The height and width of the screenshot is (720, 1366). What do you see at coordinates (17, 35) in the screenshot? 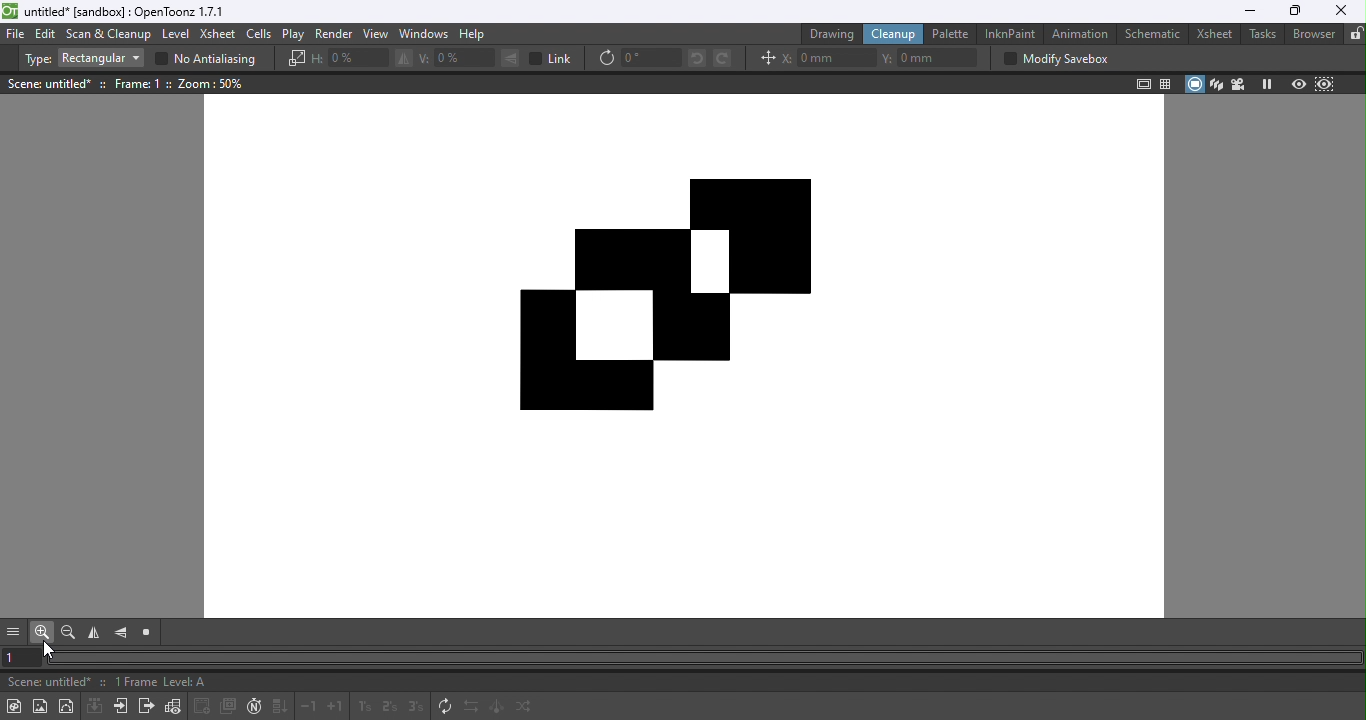
I see `File` at bounding box center [17, 35].